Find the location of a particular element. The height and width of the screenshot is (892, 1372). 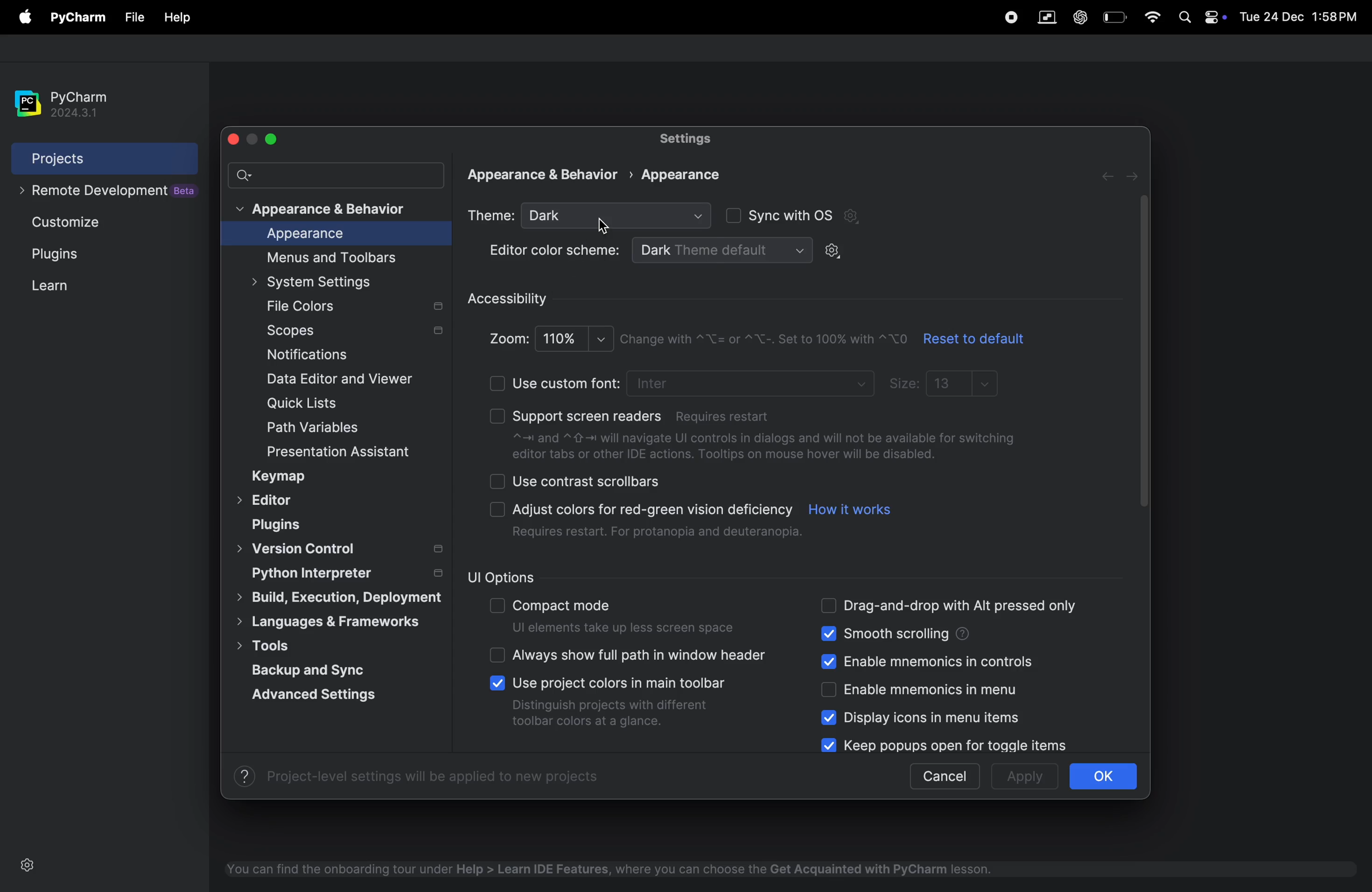

advanced settings is located at coordinates (311, 697).